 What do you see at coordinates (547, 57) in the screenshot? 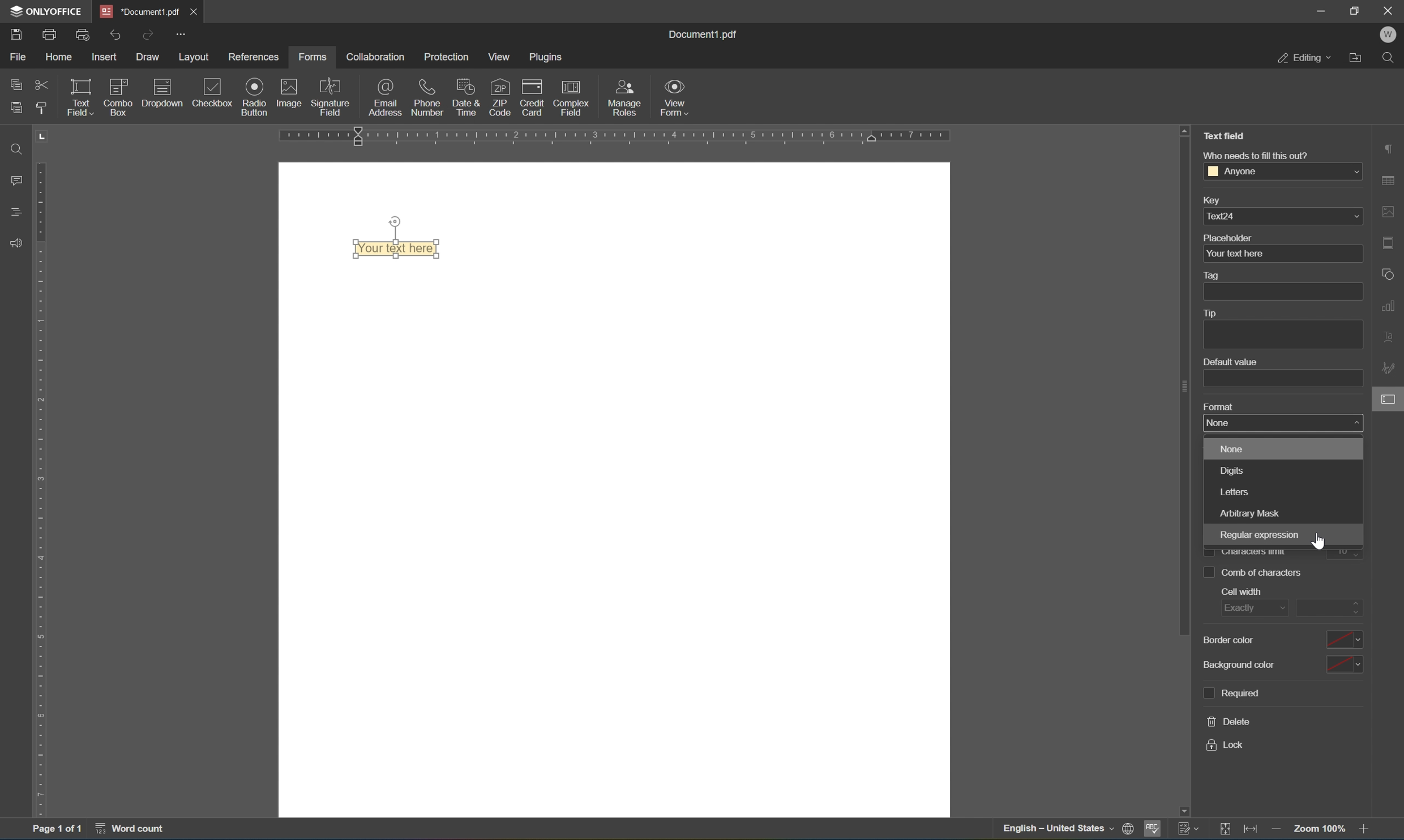
I see `plugins` at bounding box center [547, 57].